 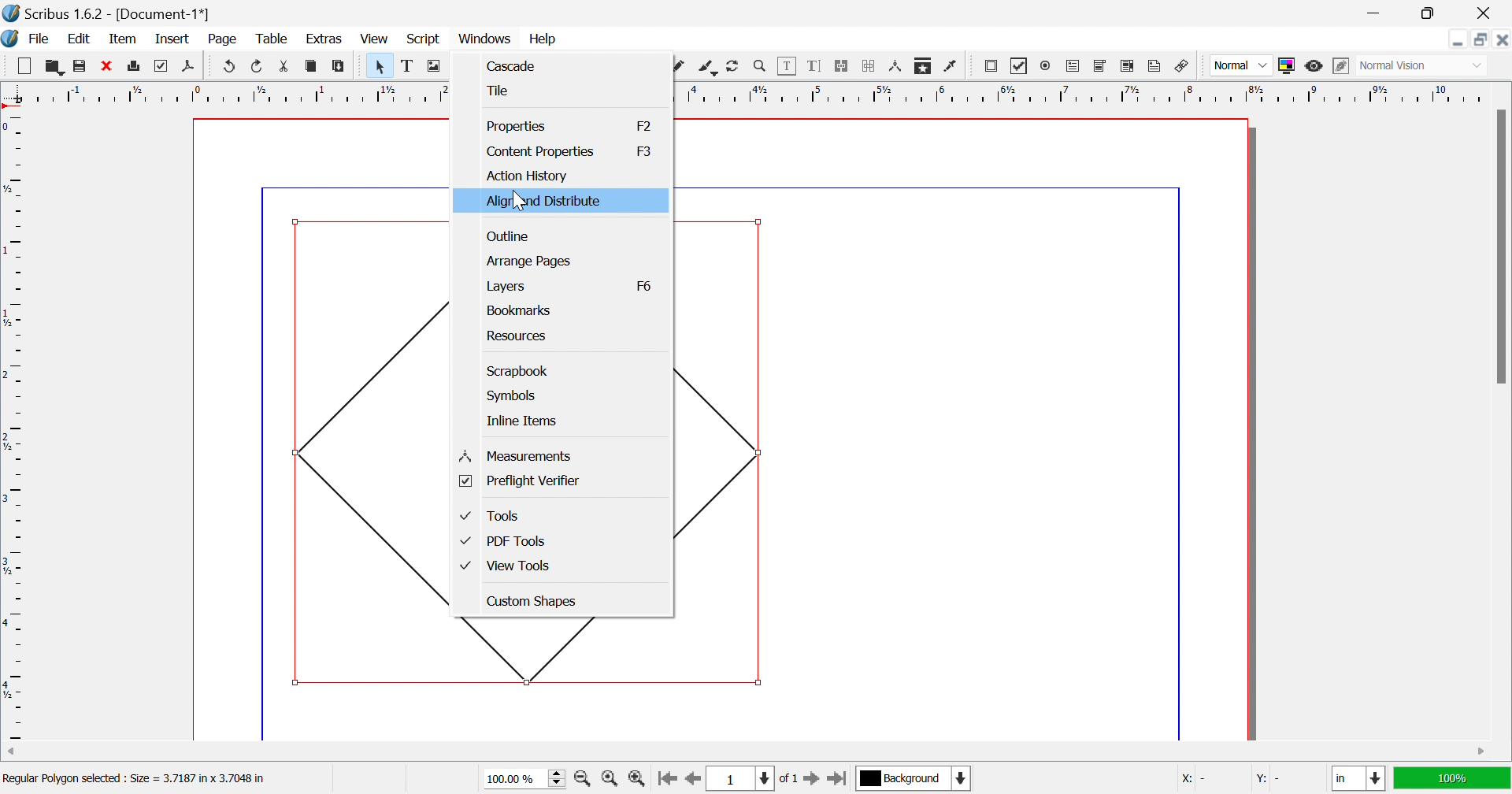 What do you see at coordinates (24, 66) in the screenshot?
I see `New` at bounding box center [24, 66].